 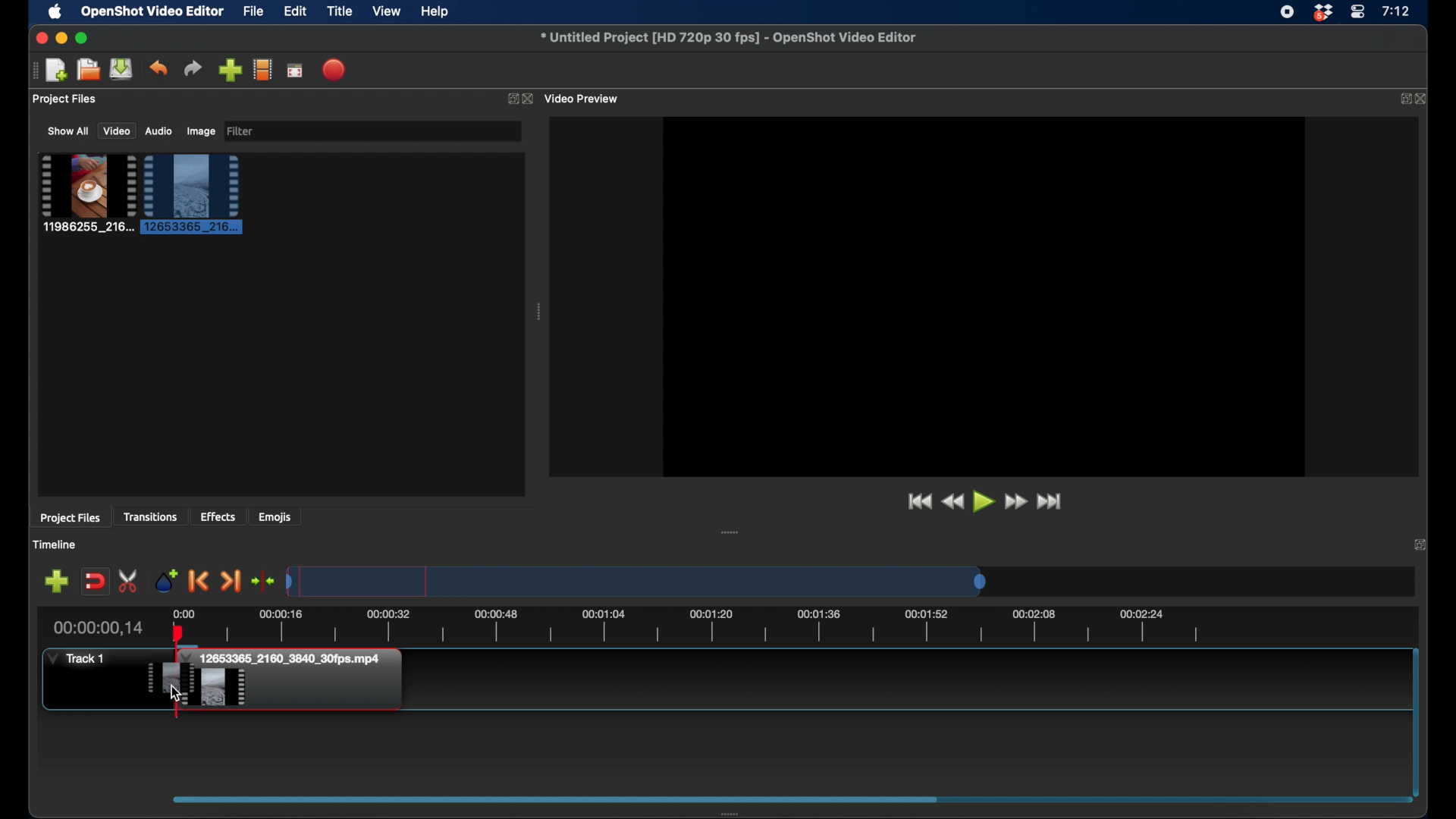 I want to click on disbale snapping, so click(x=96, y=580).